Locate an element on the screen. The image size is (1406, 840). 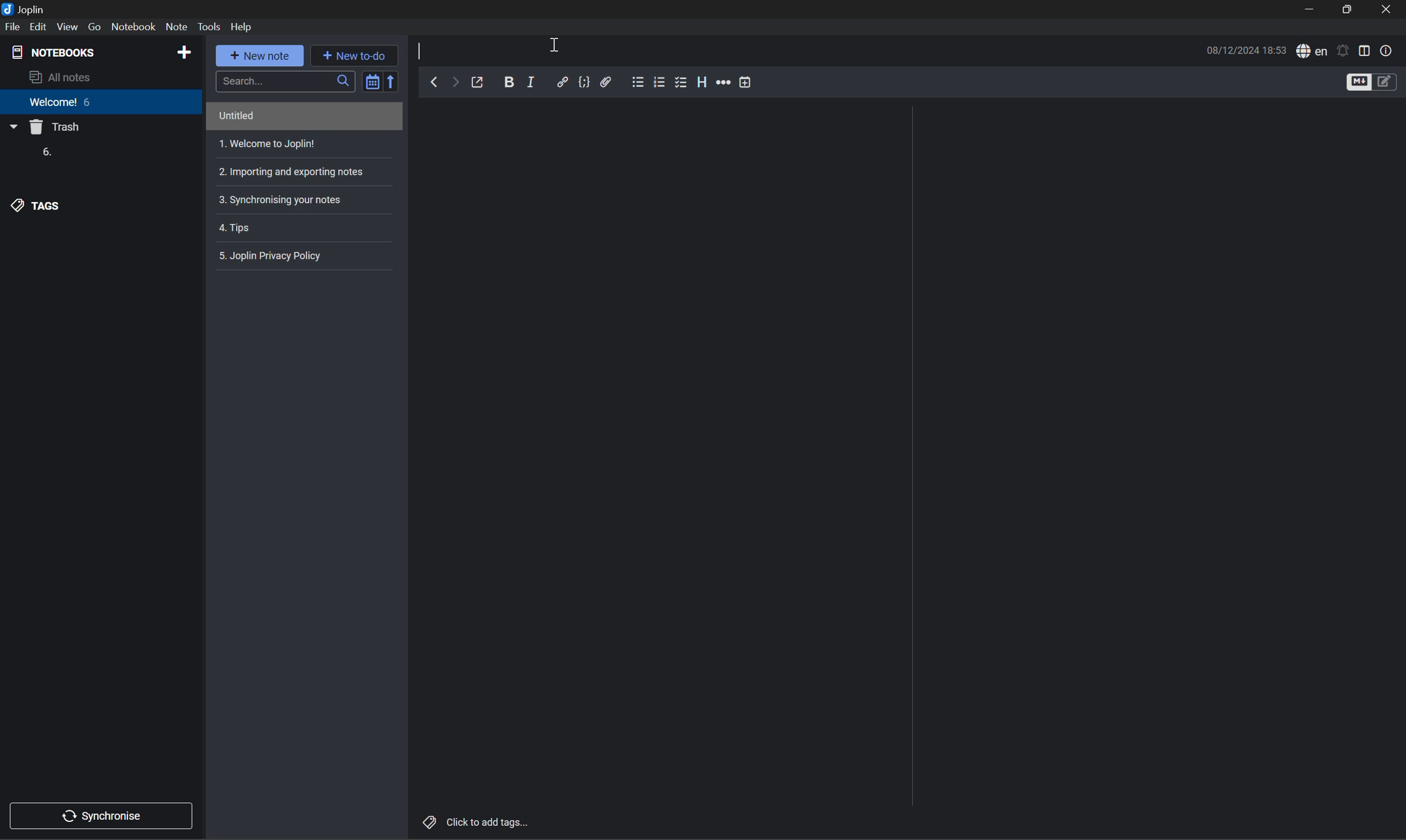
5. Joplin privacy policy is located at coordinates (274, 255).